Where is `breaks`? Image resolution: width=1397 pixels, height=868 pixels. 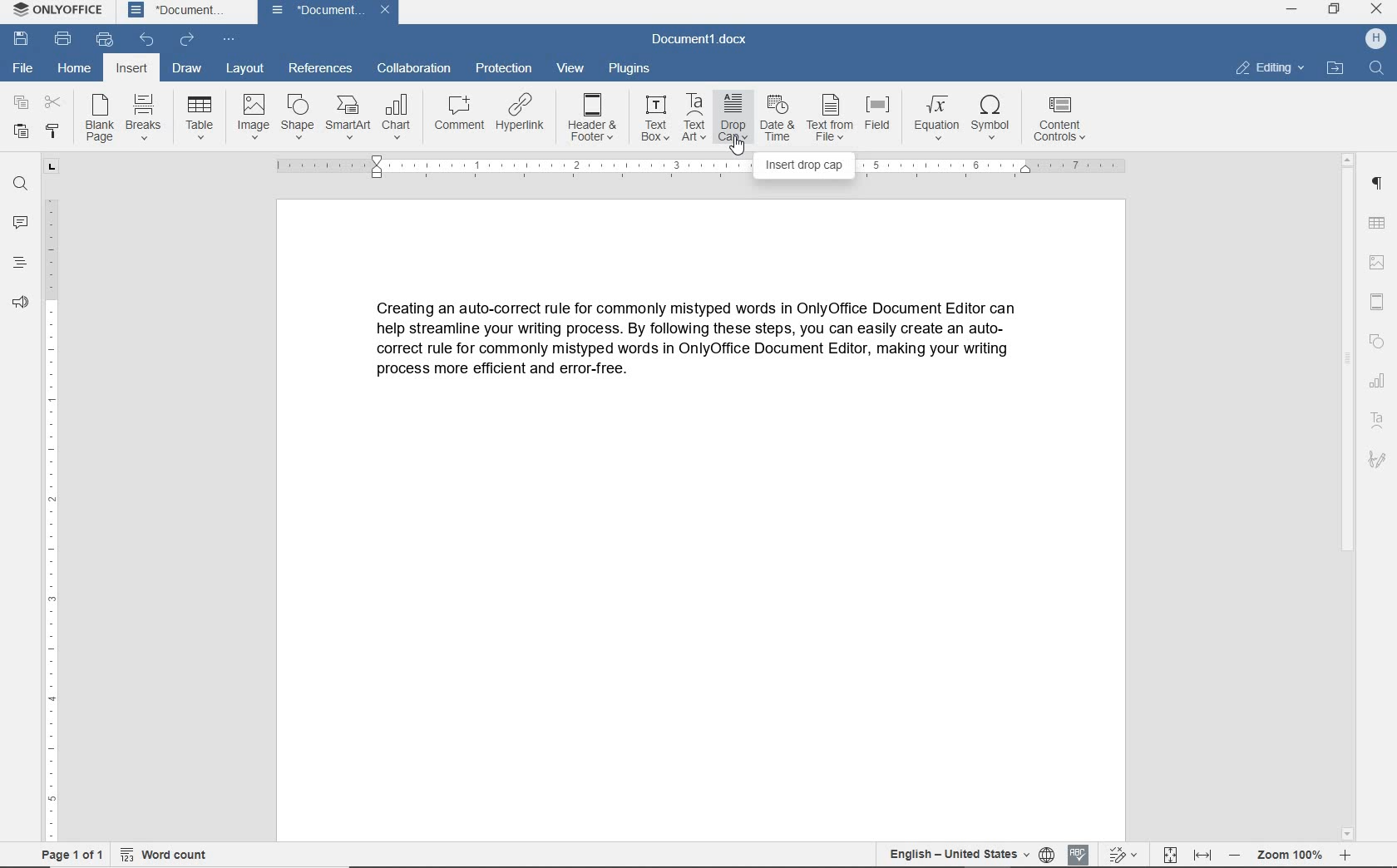 breaks is located at coordinates (144, 116).